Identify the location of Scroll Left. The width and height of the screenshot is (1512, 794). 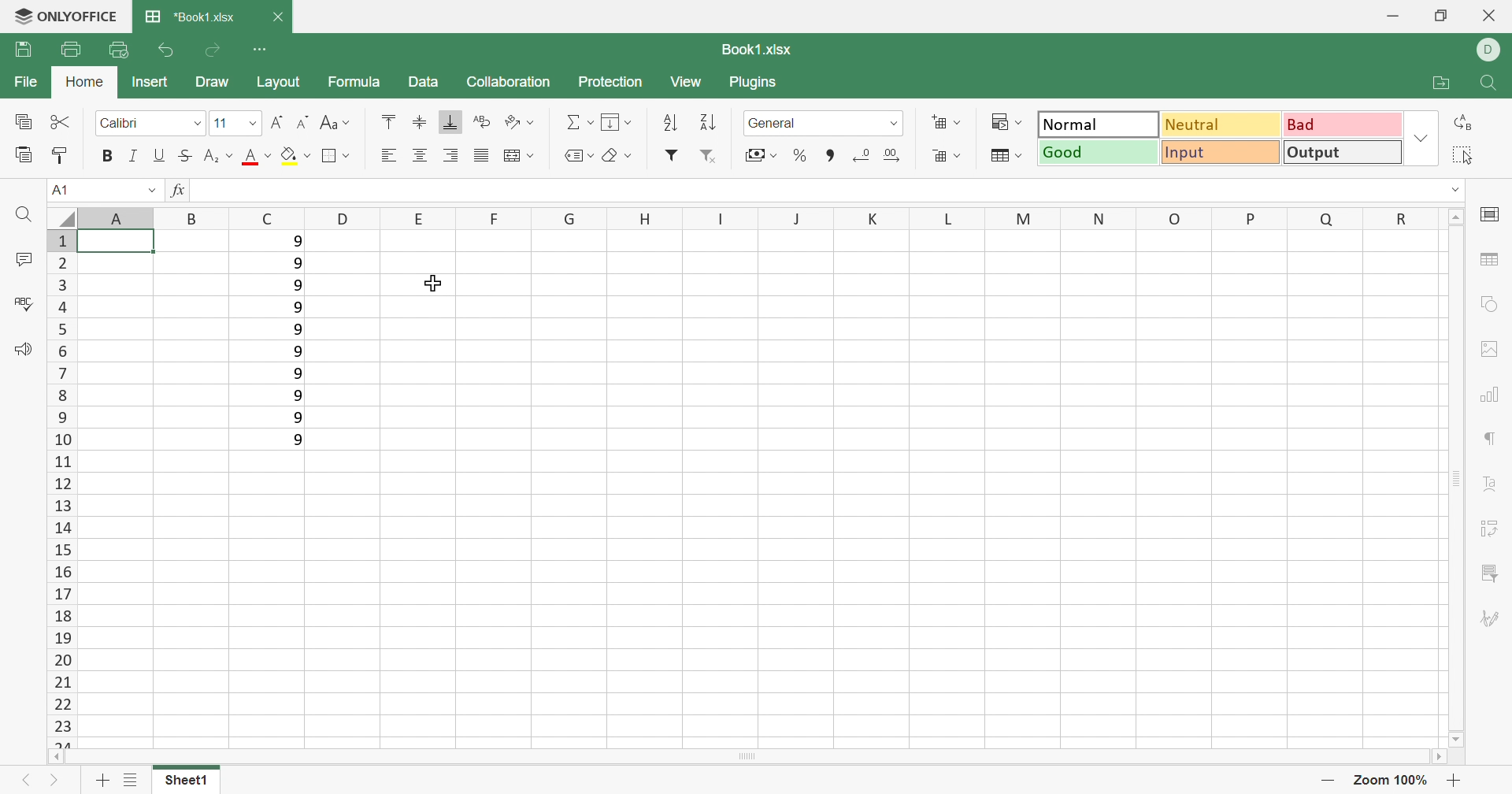
(61, 758).